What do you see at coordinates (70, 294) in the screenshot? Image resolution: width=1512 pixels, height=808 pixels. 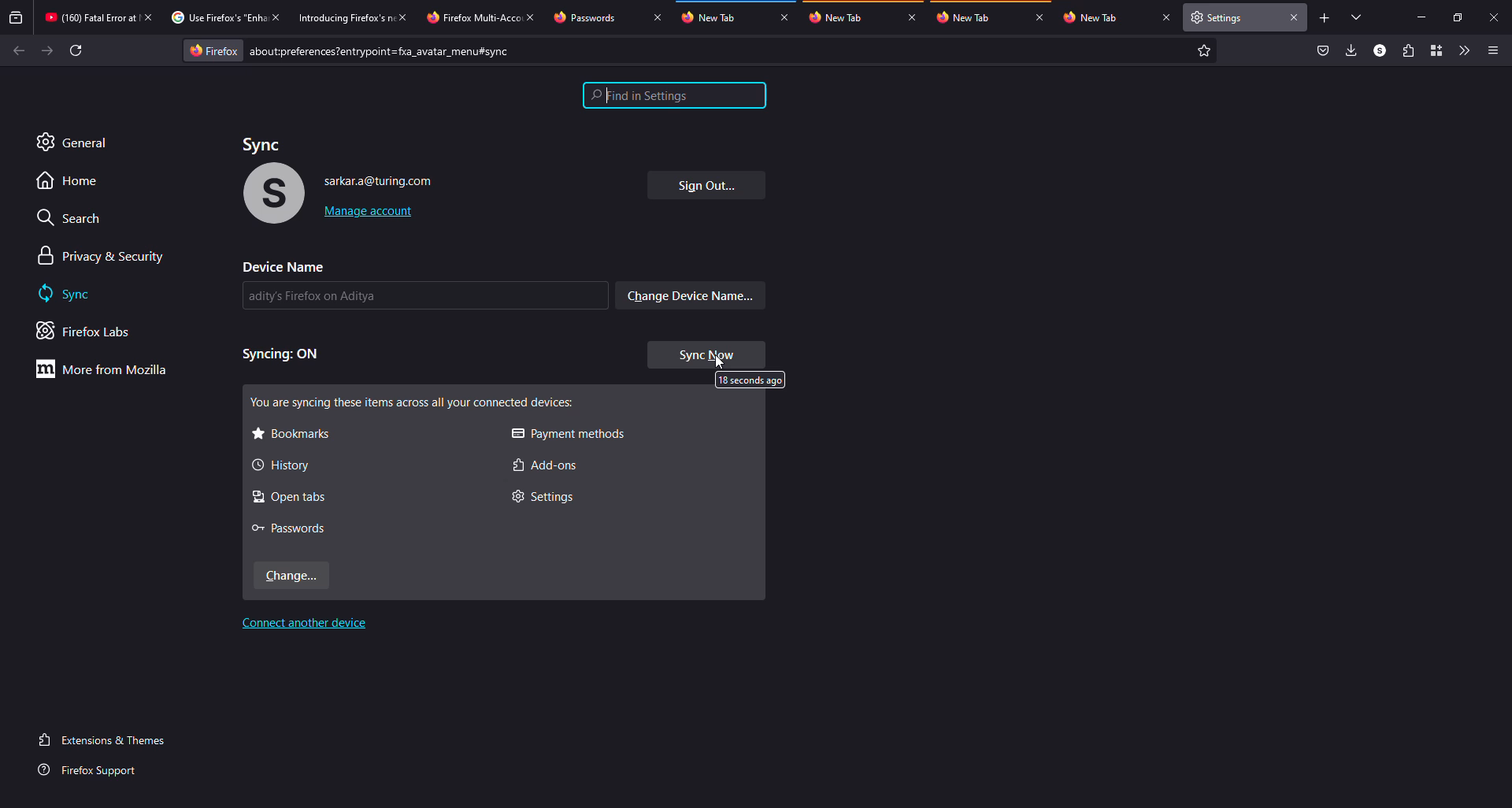 I see `sync` at bounding box center [70, 294].